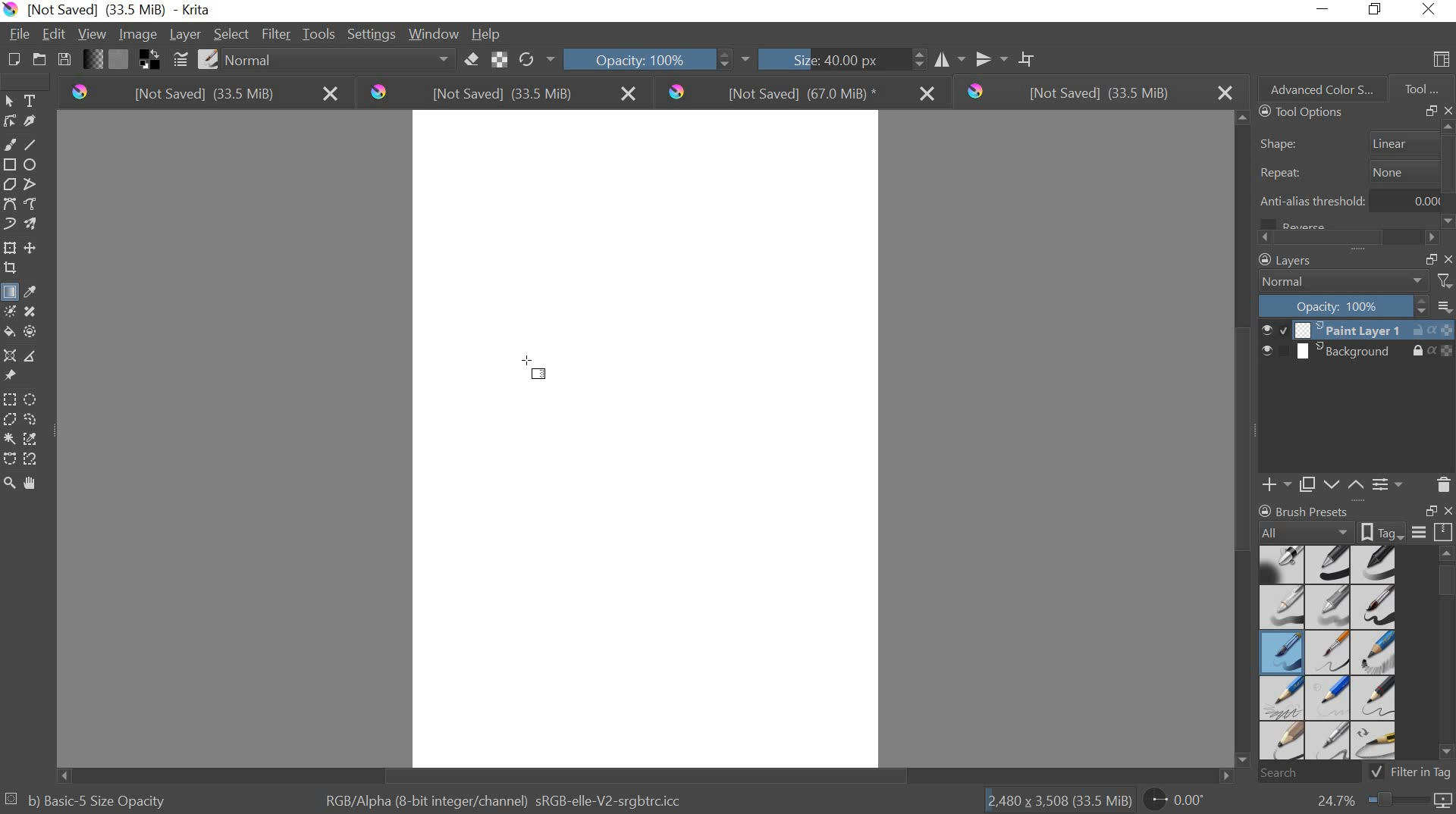 The image size is (1456, 814). What do you see at coordinates (9, 293) in the screenshot?
I see `gradient fill` at bounding box center [9, 293].